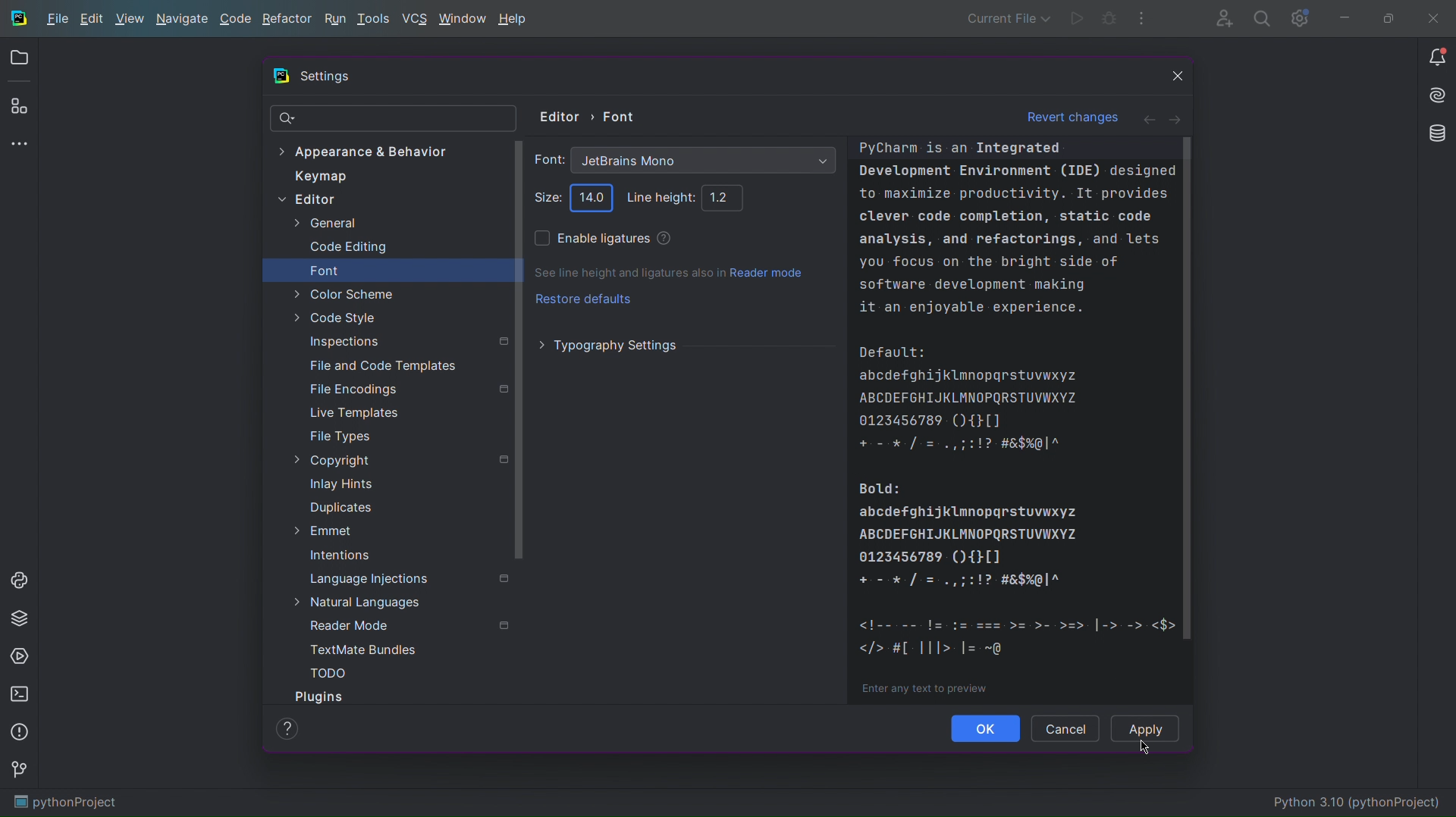  I want to click on Line height: 1.2, so click(723, 199).